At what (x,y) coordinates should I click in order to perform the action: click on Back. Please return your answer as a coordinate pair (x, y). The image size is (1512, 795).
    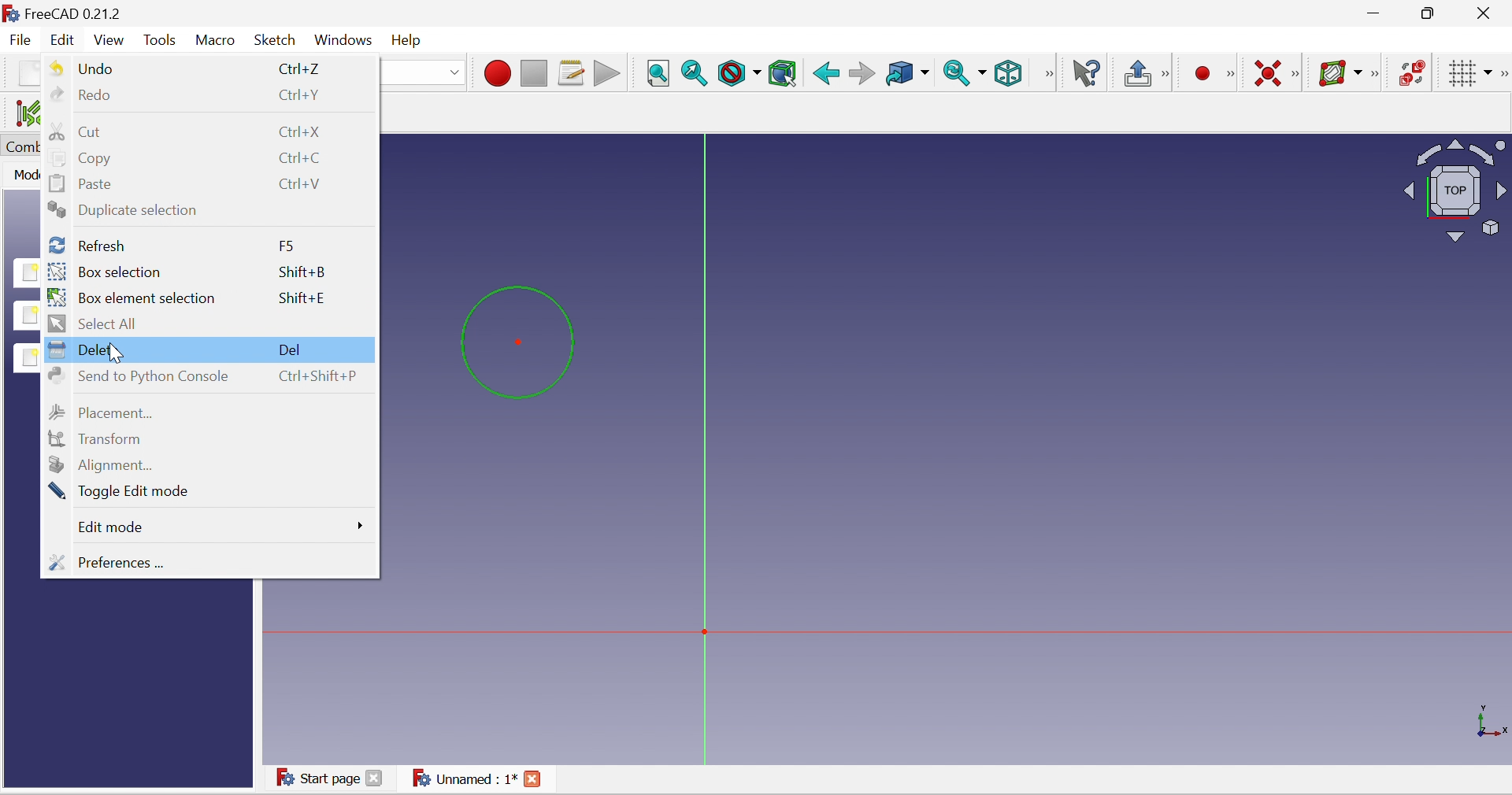
    Looking at the image, I should click on (825, 74).